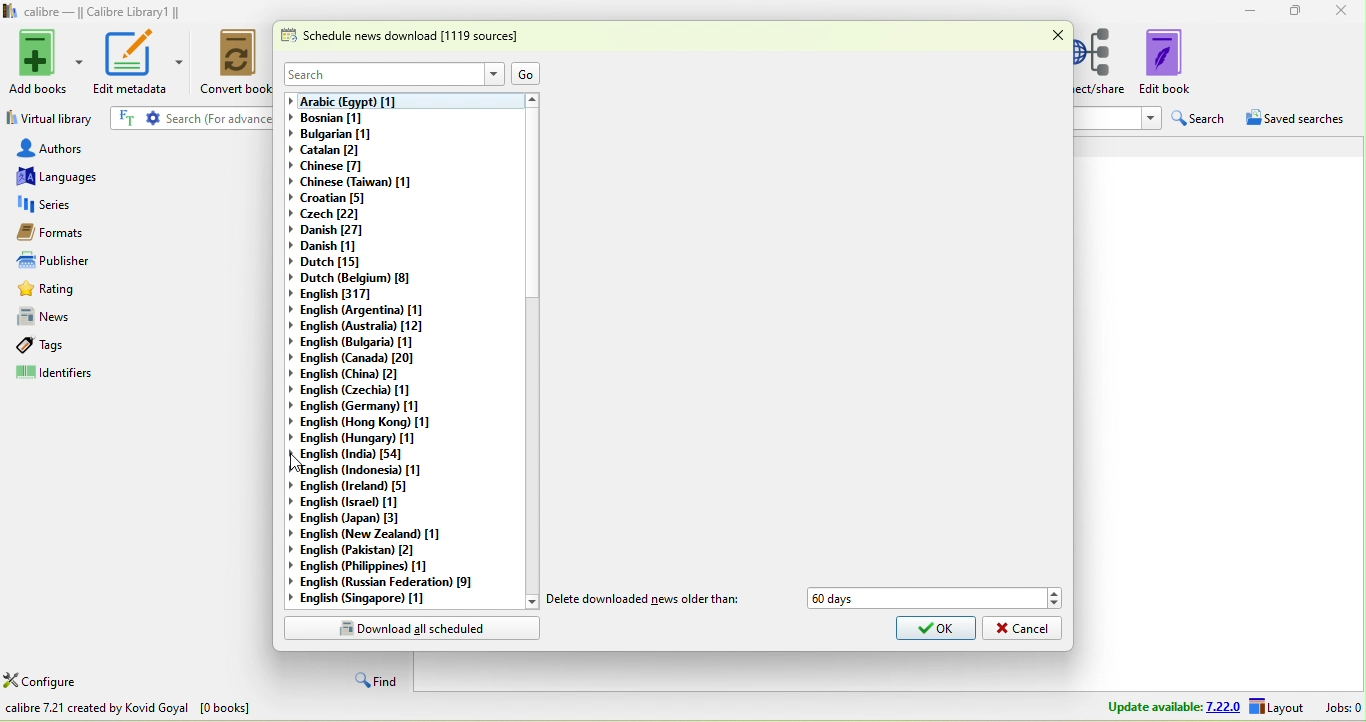 This screenshot has height=722, width=1366. What do you see at coordinates (234, 63) in the screenshot?
I see `convert books` at bounding box center [234, 63].